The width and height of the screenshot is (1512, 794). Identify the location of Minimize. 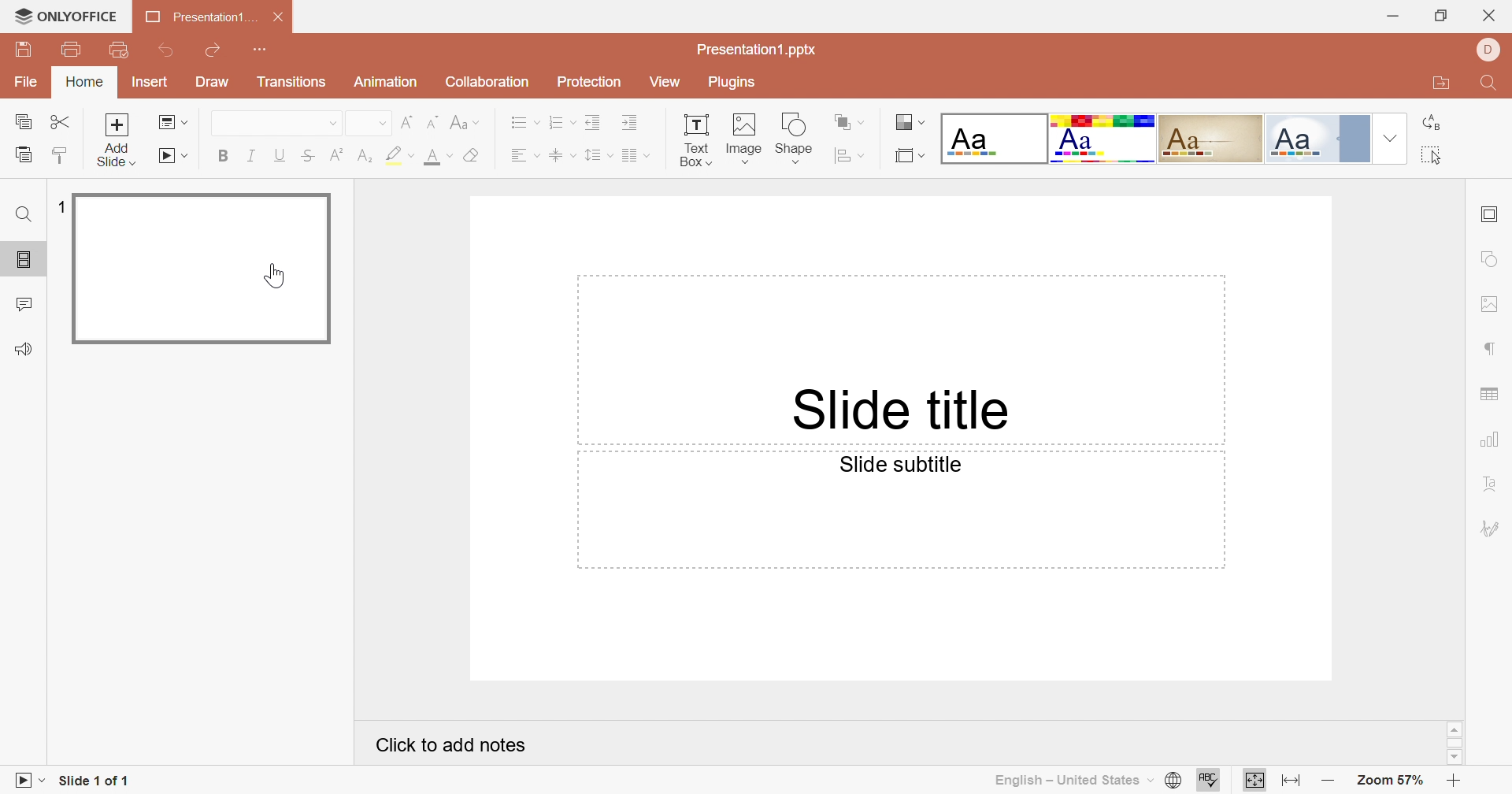
(1392, 14).